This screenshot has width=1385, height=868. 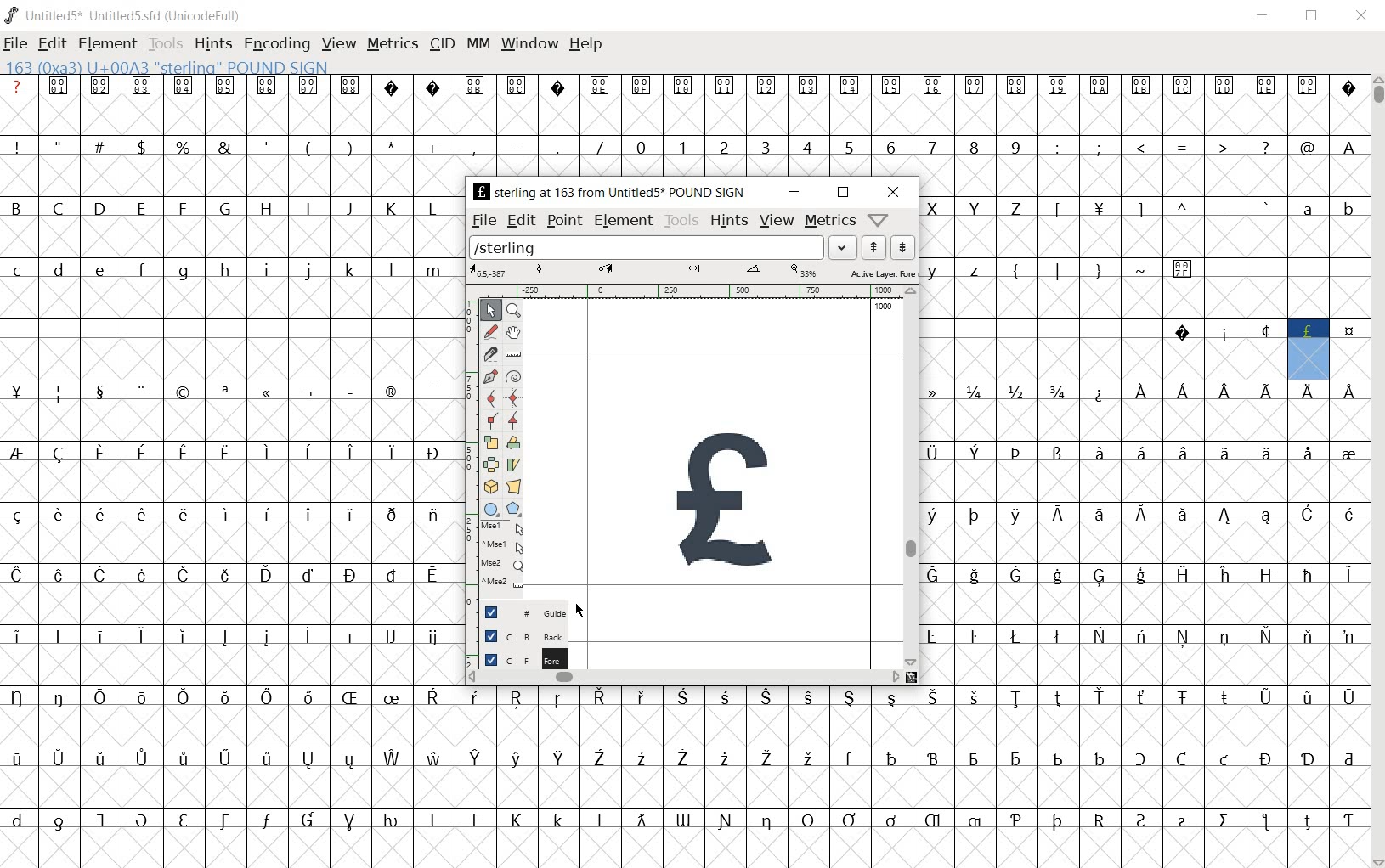 I want to click on Symbol, so click(x=267, y=759).